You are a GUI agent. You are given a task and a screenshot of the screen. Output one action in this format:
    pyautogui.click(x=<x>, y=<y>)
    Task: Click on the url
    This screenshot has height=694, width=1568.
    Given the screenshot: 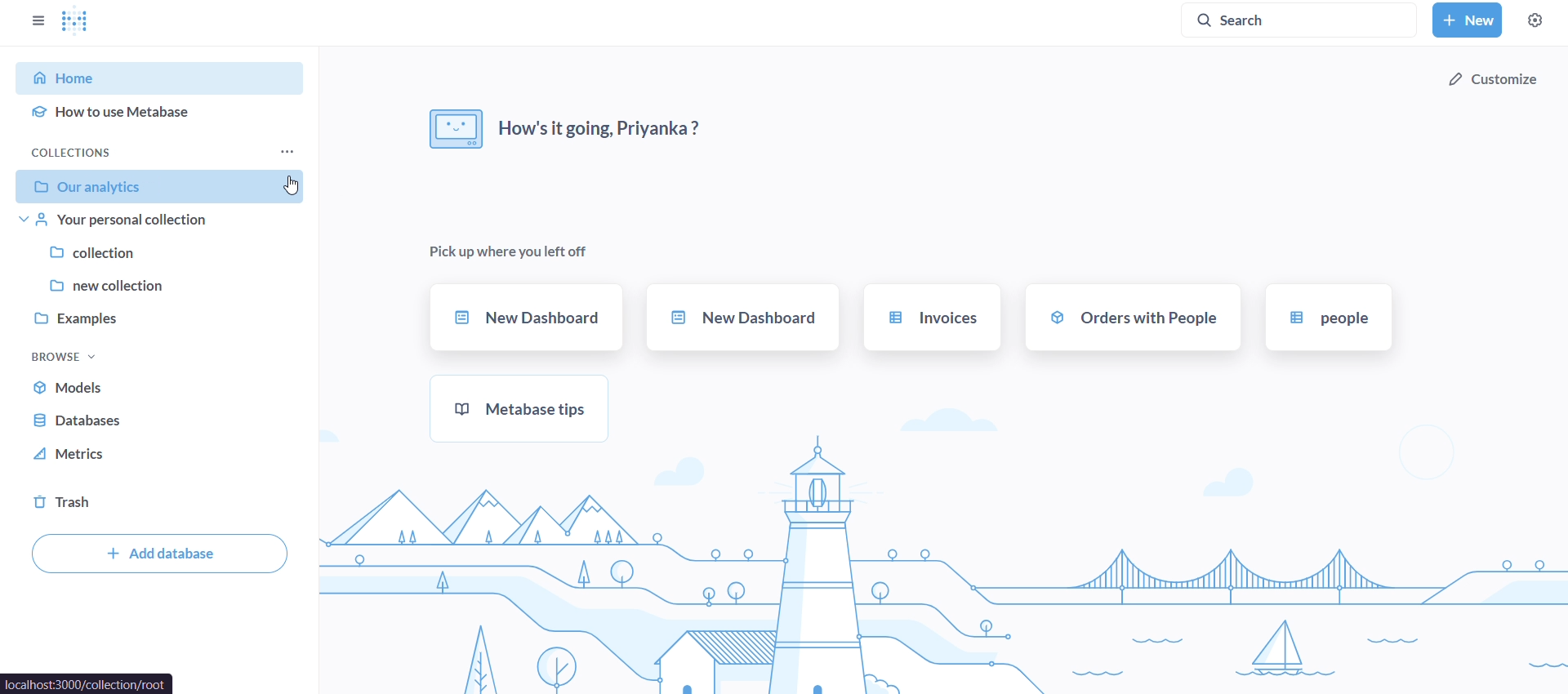 What is the action you would take?
    pyautogui.click(x=88, y=682)
    